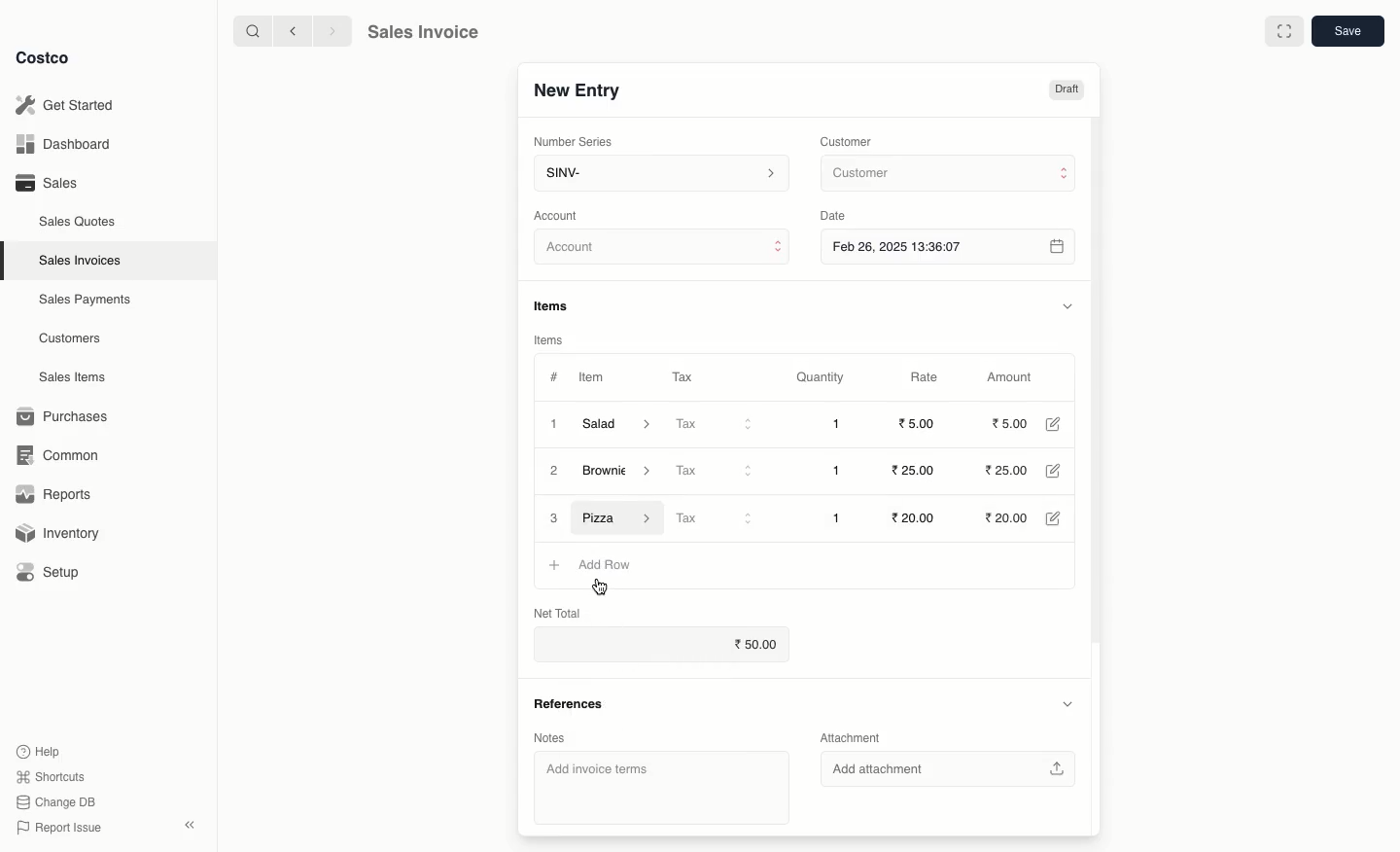 The image size is (1400, 852). Describe the element at coordinates (558, 305) in the screenshot. I see `Items` at that location.